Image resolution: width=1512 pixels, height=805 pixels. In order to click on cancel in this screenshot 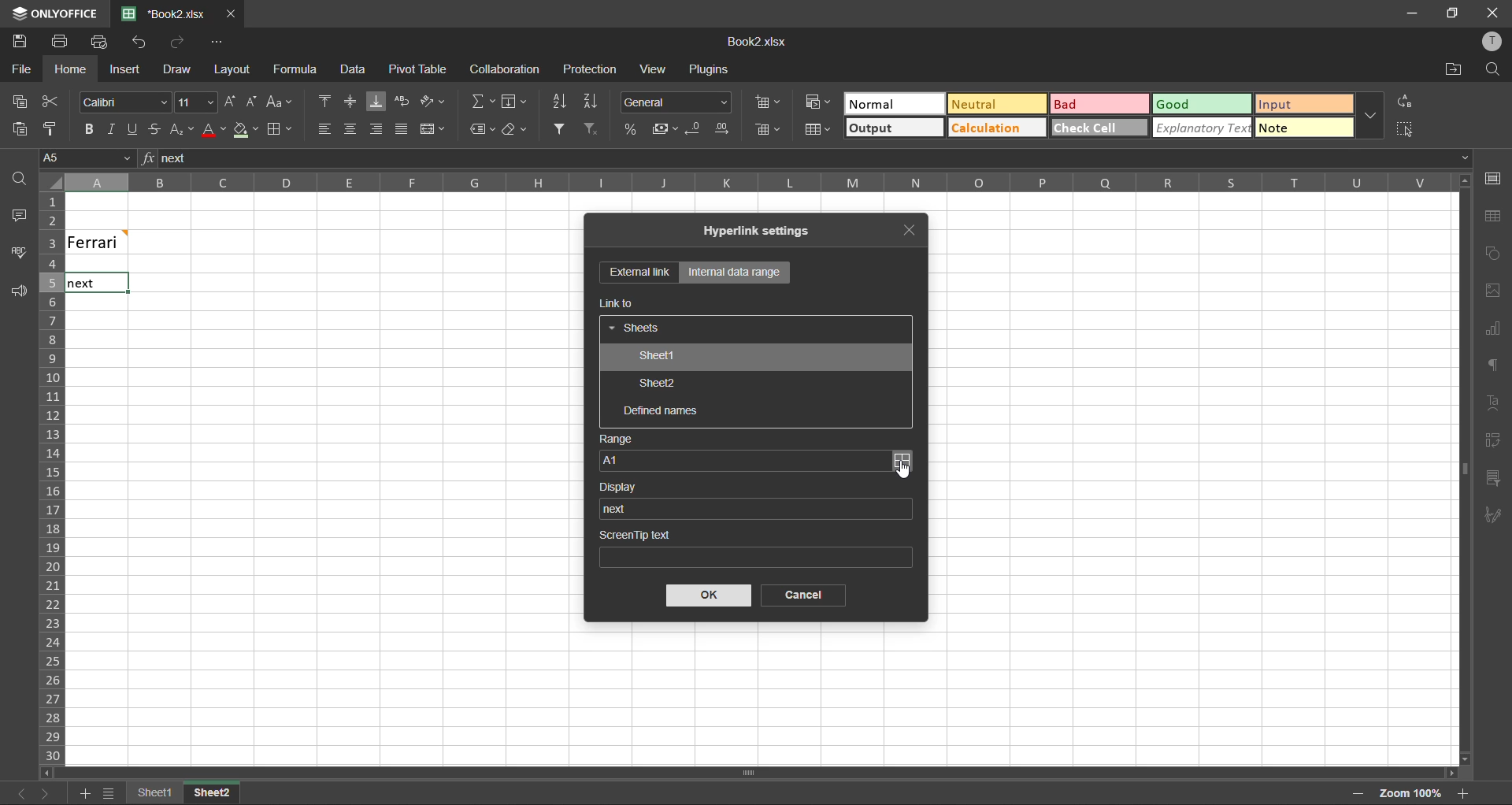, I will do `click(798, 595)`.